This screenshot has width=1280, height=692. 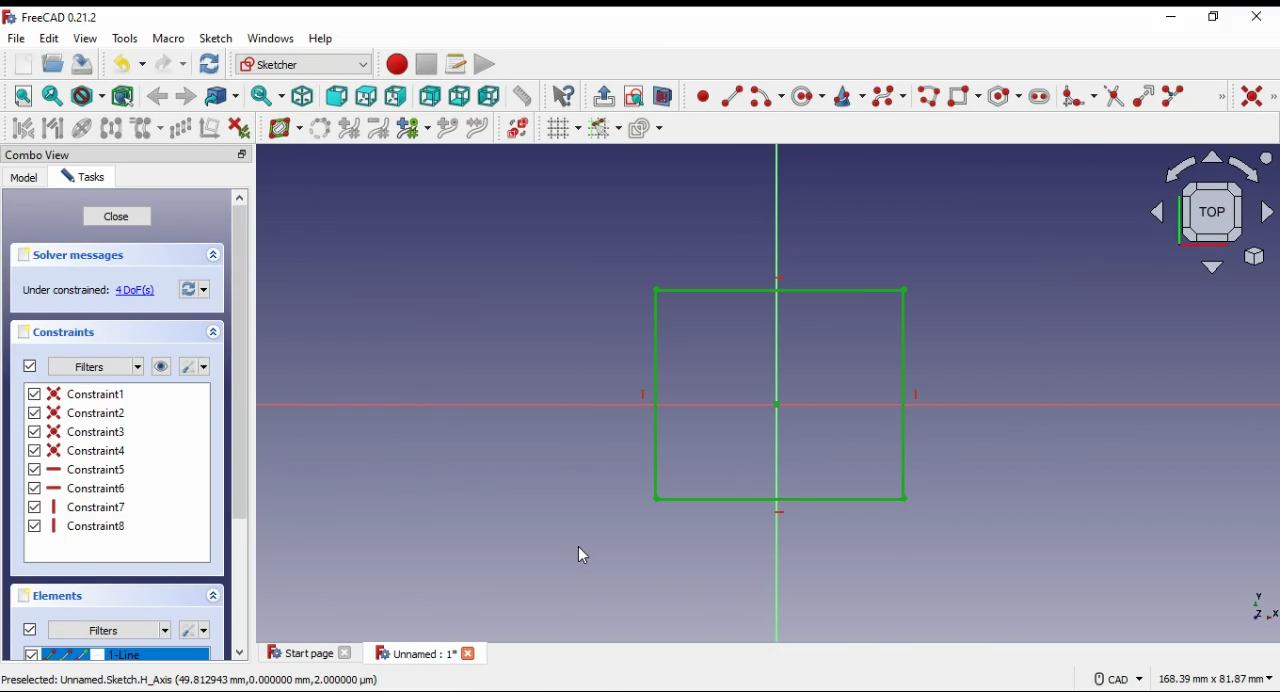 I want to click on rectangular array, so click(x=180, y=129).